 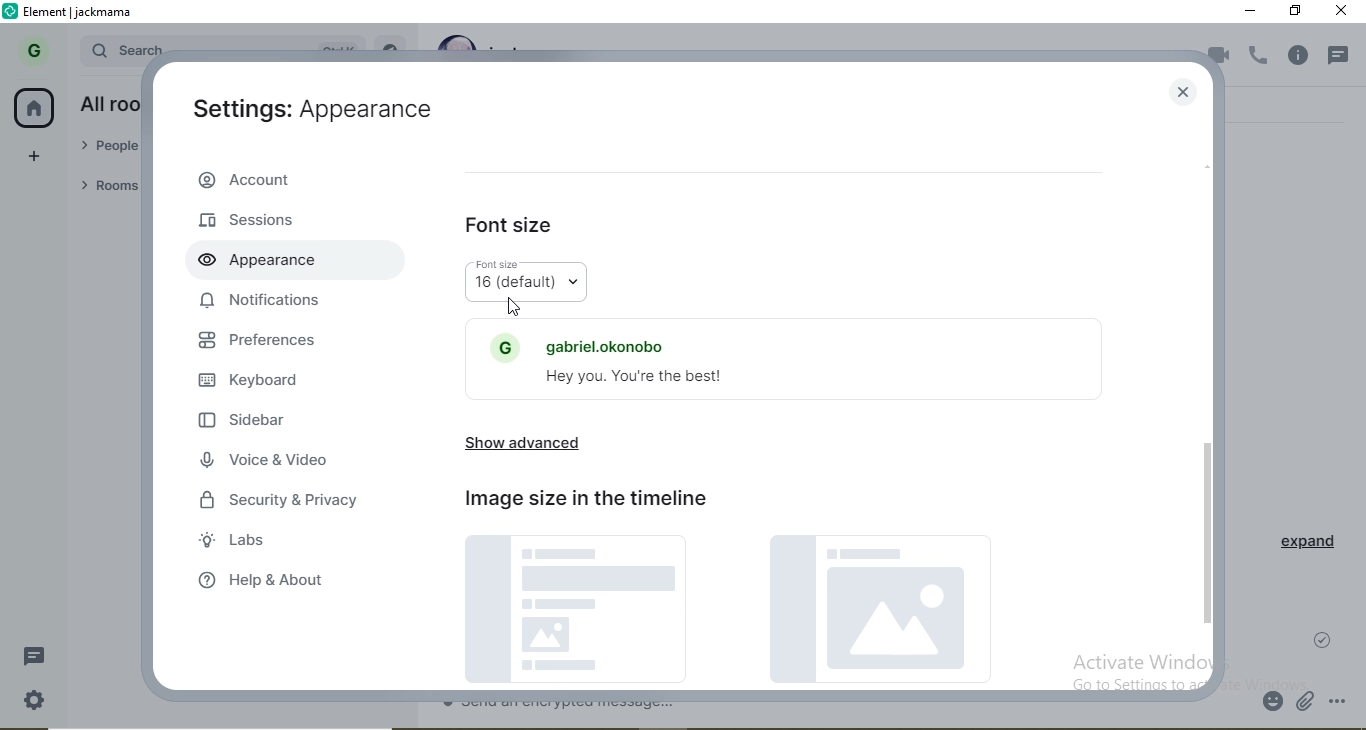 I want to click on 16 (default), so click(x=526, y=286).